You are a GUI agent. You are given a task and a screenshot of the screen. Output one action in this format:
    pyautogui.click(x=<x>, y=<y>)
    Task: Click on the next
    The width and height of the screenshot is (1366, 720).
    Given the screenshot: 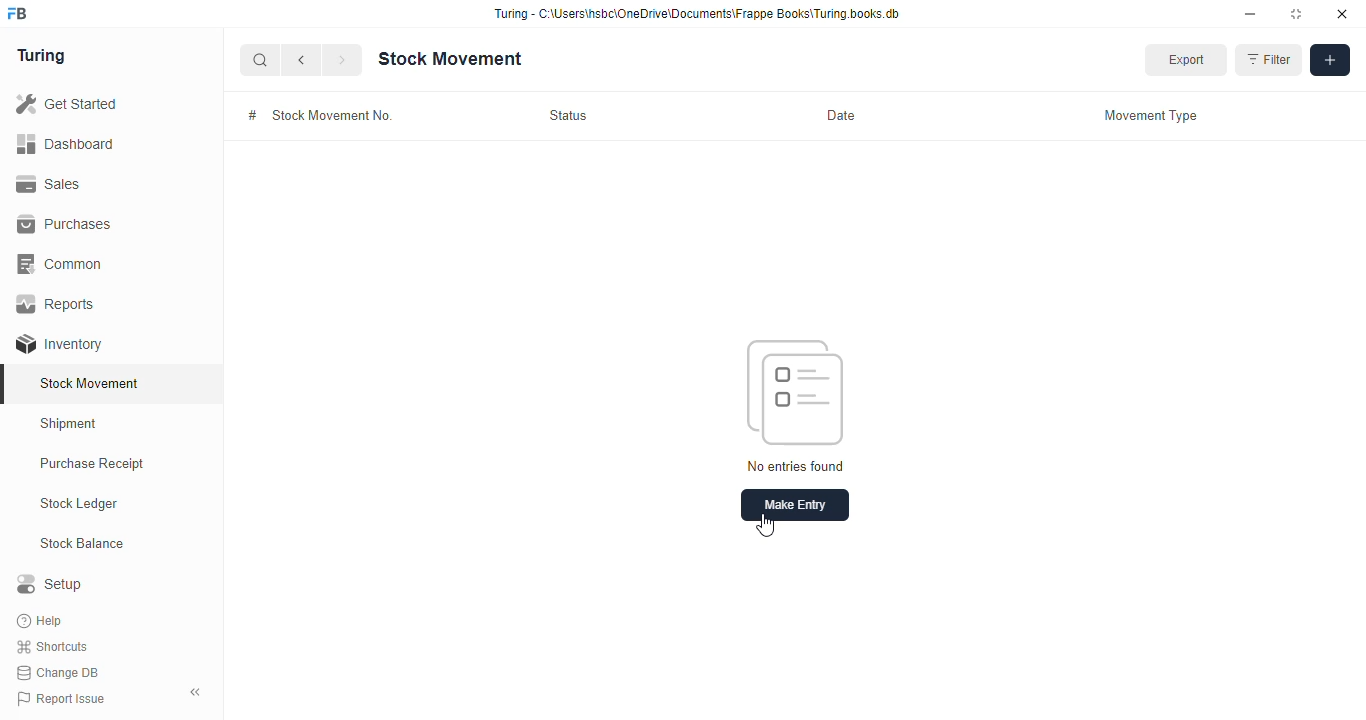 What is the action you would take?
    pyautogui.click(x=342, y=60)
    